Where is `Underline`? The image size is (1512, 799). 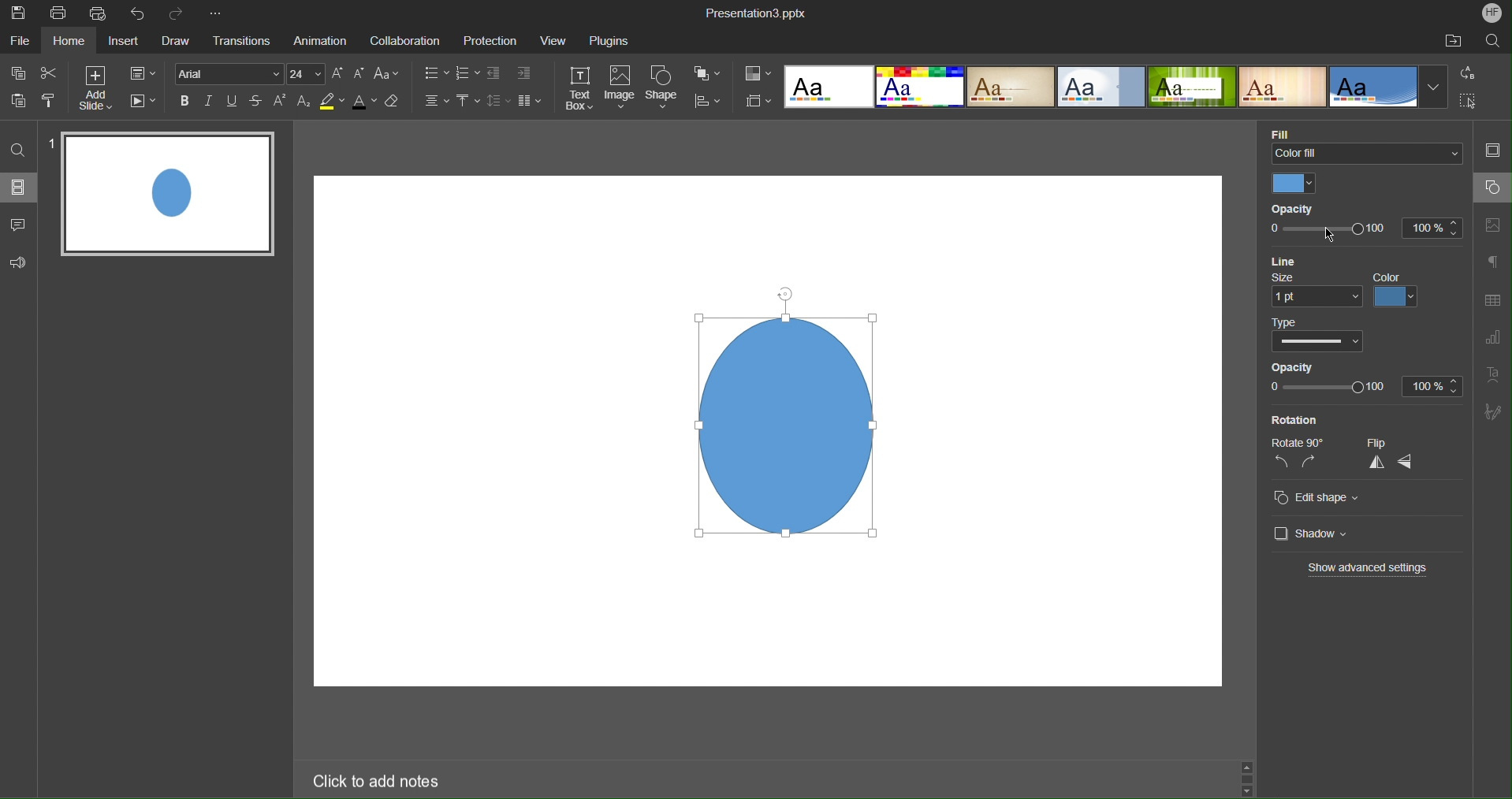 Underline is located at coordinates (233, 103).